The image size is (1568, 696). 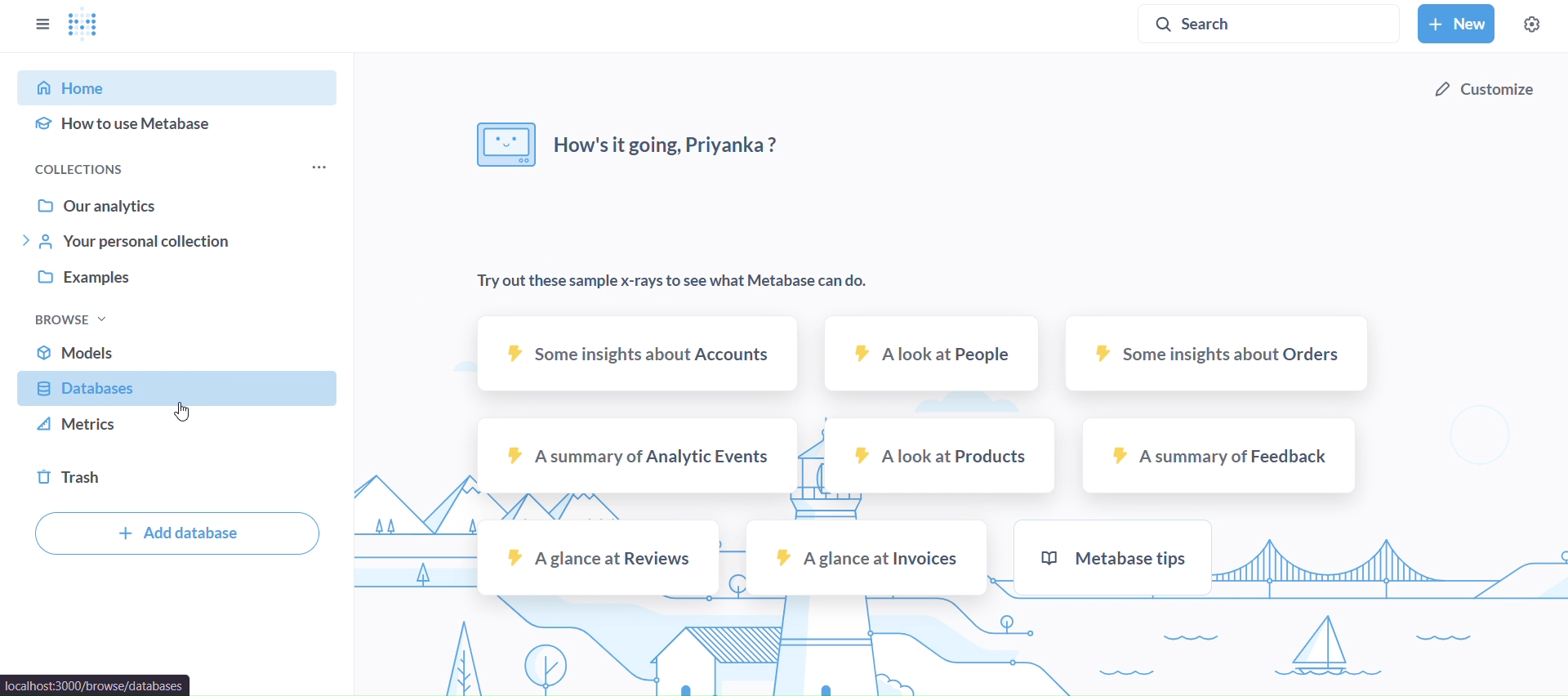 I want to click on more, so click(x=319, y=167).